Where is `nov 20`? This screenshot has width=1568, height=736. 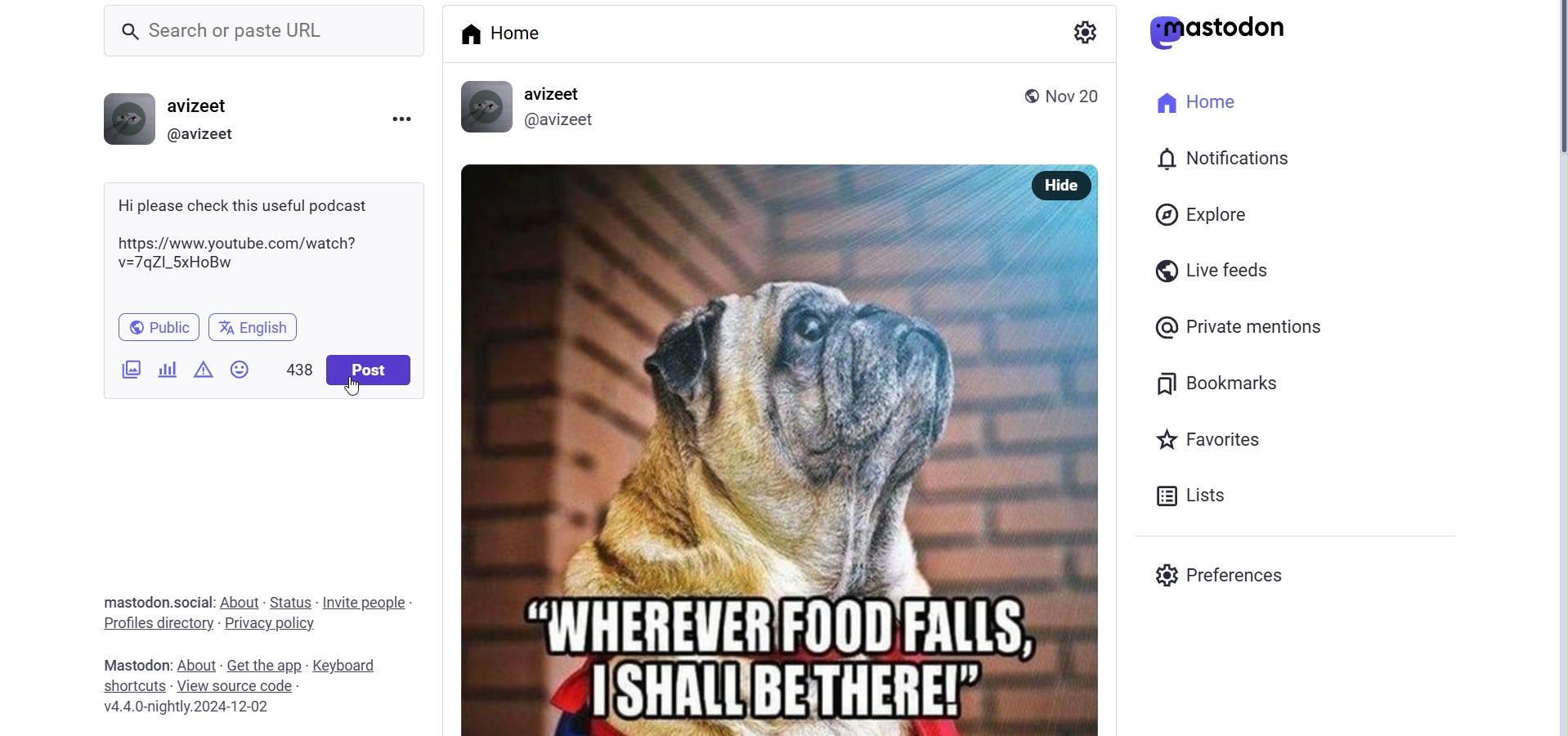 nov 20 is located at coordinates (1082, 97).